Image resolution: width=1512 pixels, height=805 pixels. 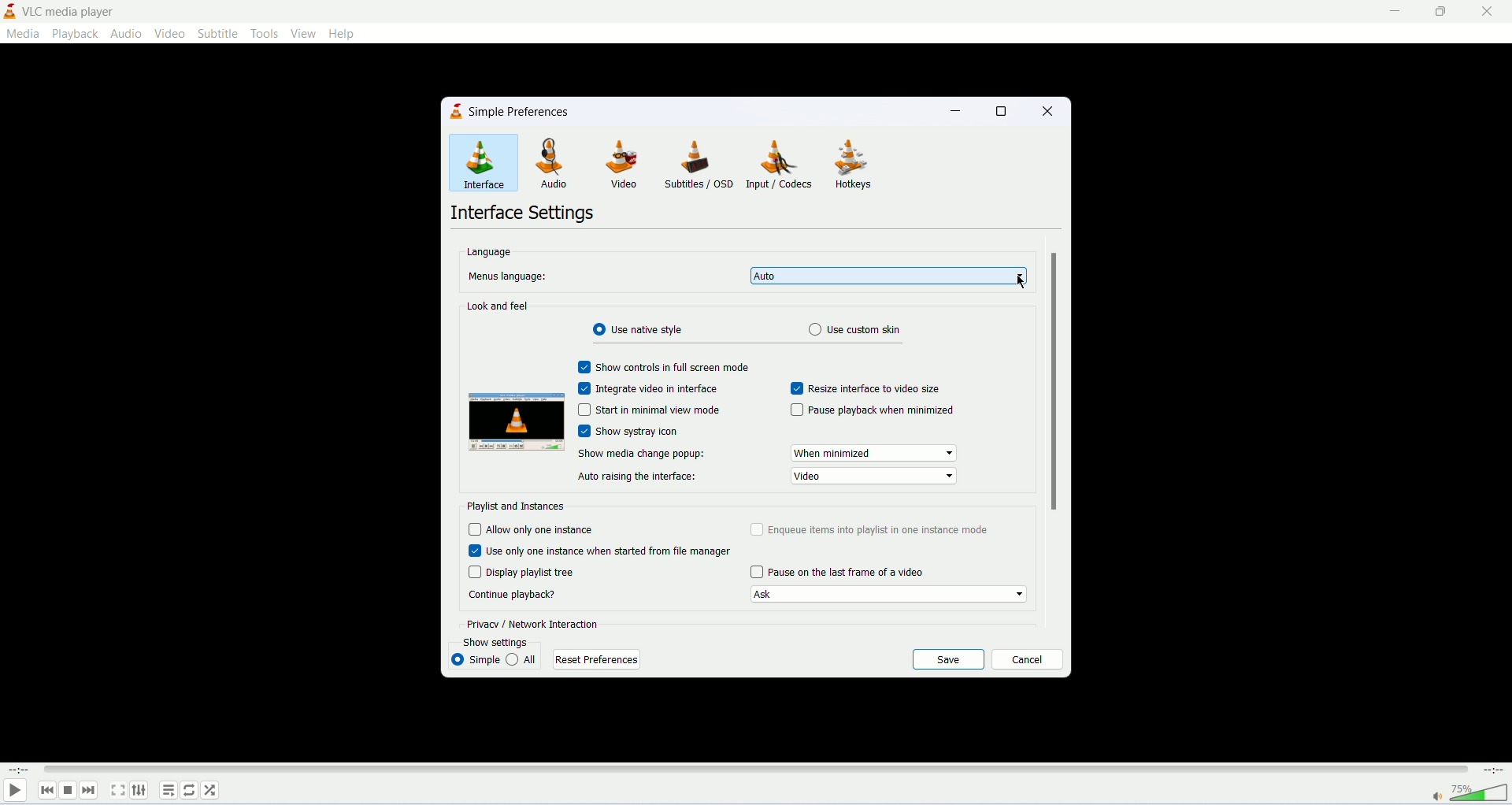 What do you see at coordinates (117, 790) in the screenshot?
I see `fullscreen` at bounding box center [117, 790].